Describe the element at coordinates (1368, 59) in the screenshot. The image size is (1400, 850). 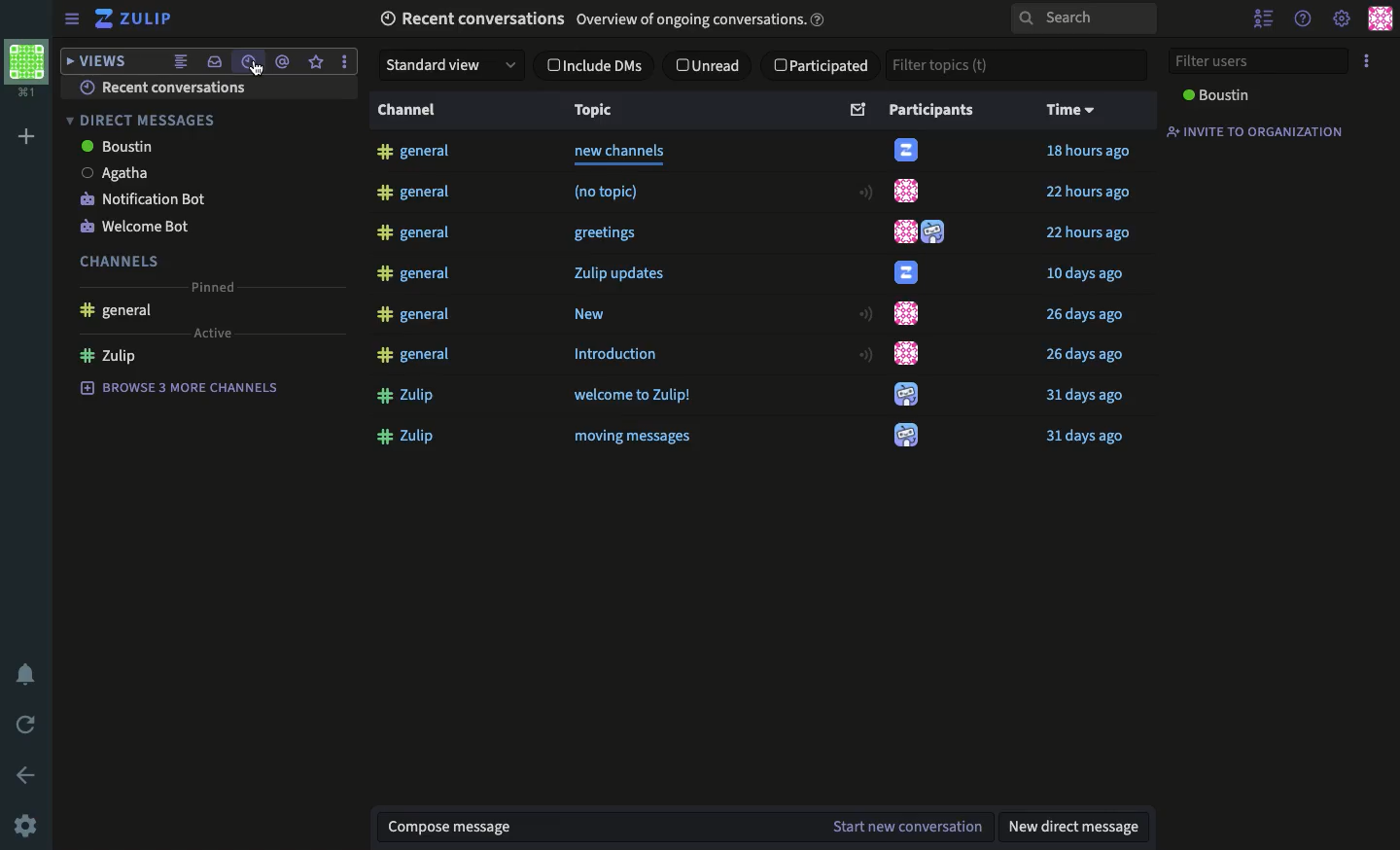
I see `options` at that location.